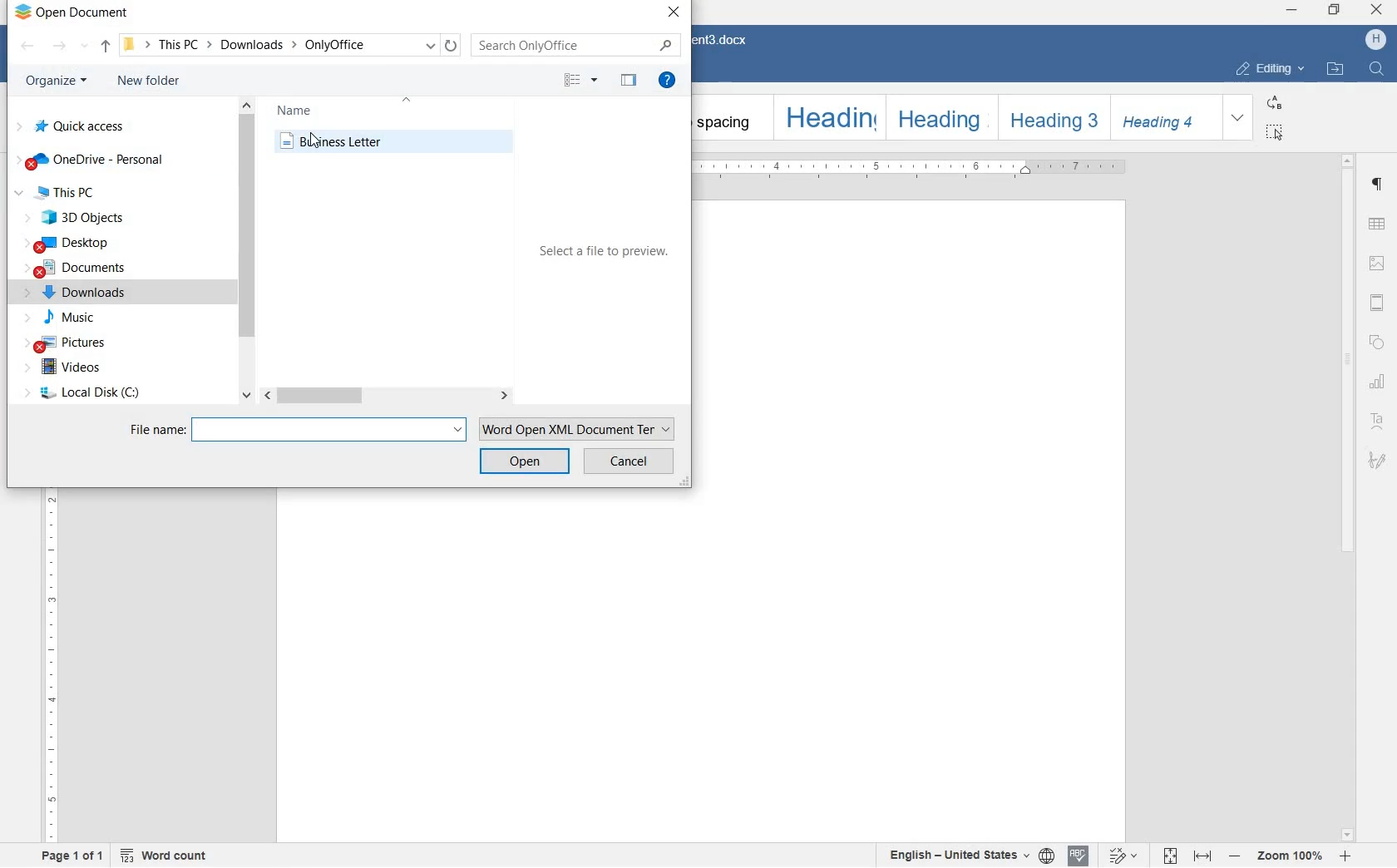 The width and height of the screenshot is (1397, 868). What do you see at coordinates (1376, 183) in the screenshot?
I see `paragraph settings` at bounding box center [1376, 183].